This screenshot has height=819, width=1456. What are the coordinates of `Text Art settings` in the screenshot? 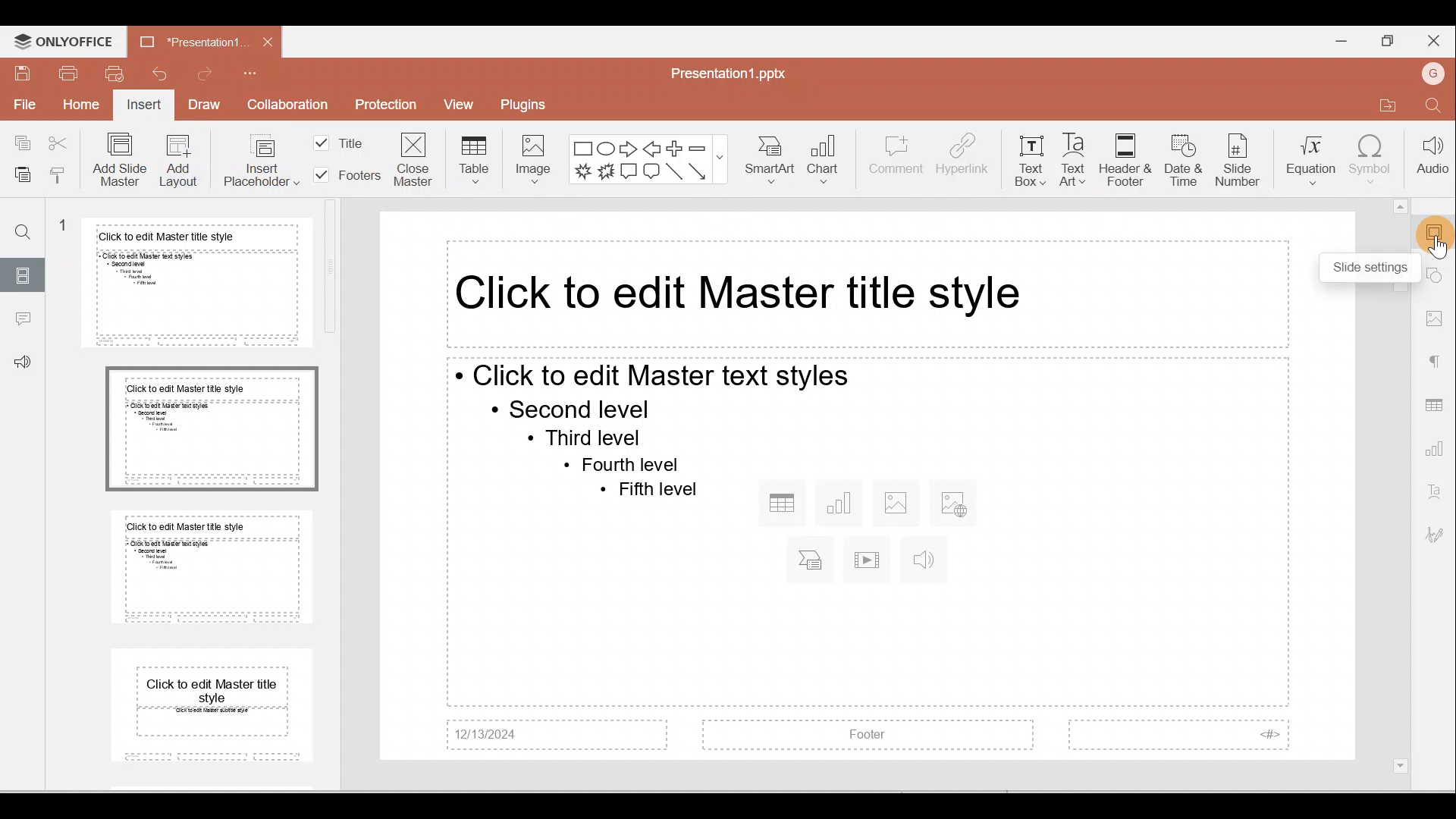 It's located at (1437, 493).